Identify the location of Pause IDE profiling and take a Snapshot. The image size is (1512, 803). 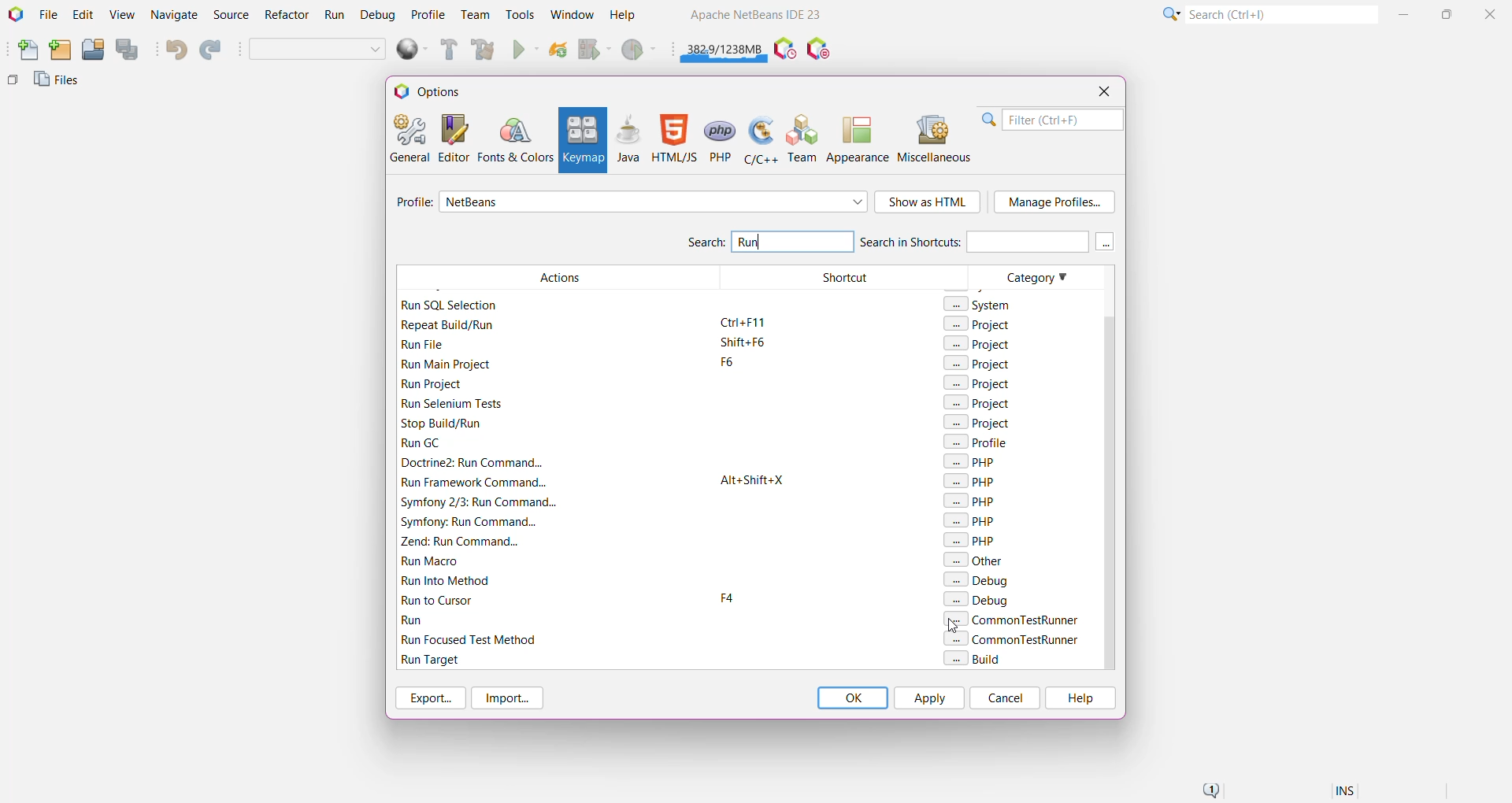
(785, 50).